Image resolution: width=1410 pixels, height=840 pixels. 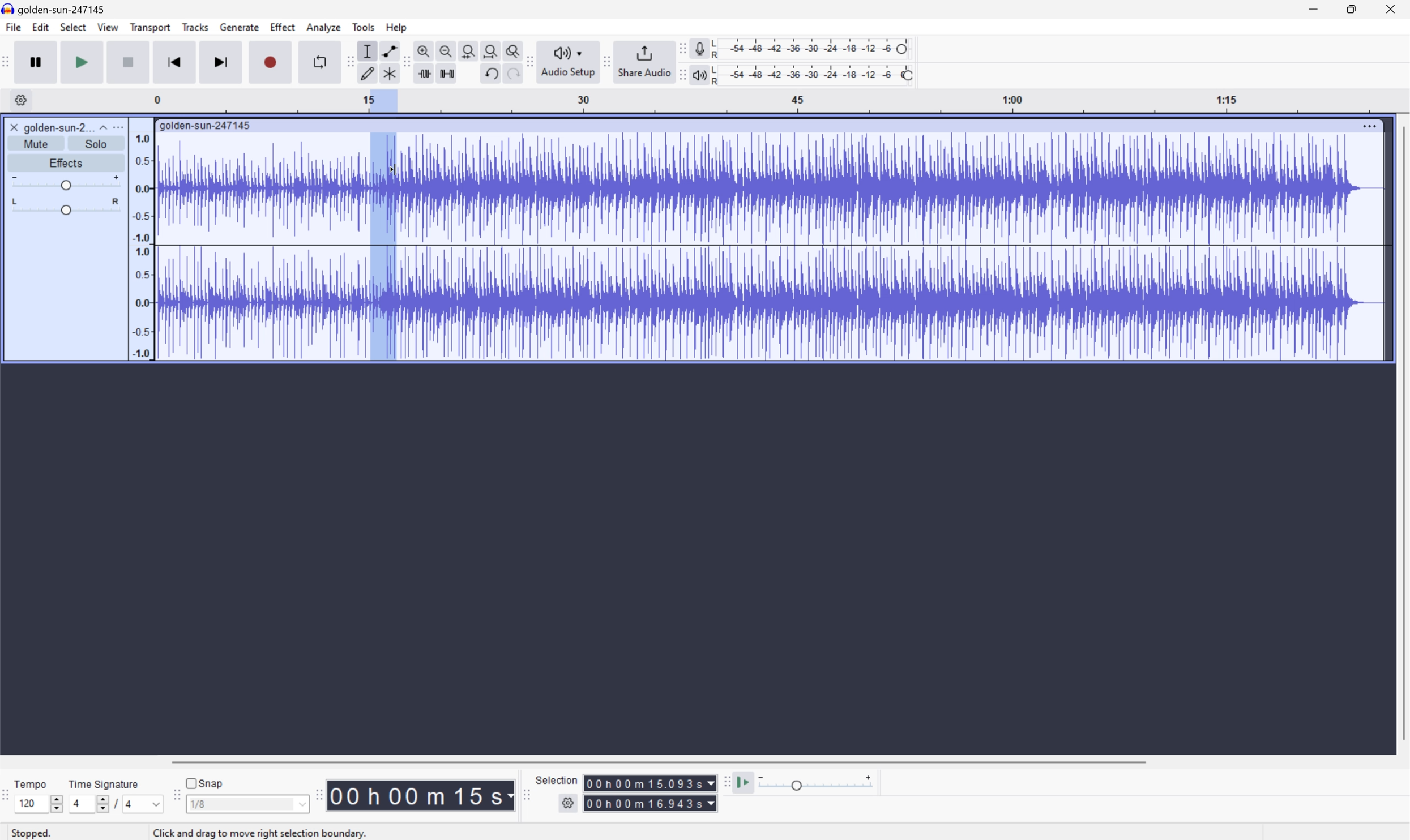 What do you see at coordinates (283, 27) in the screenshot?
I see `Effect` at bounding box center [283, 27].